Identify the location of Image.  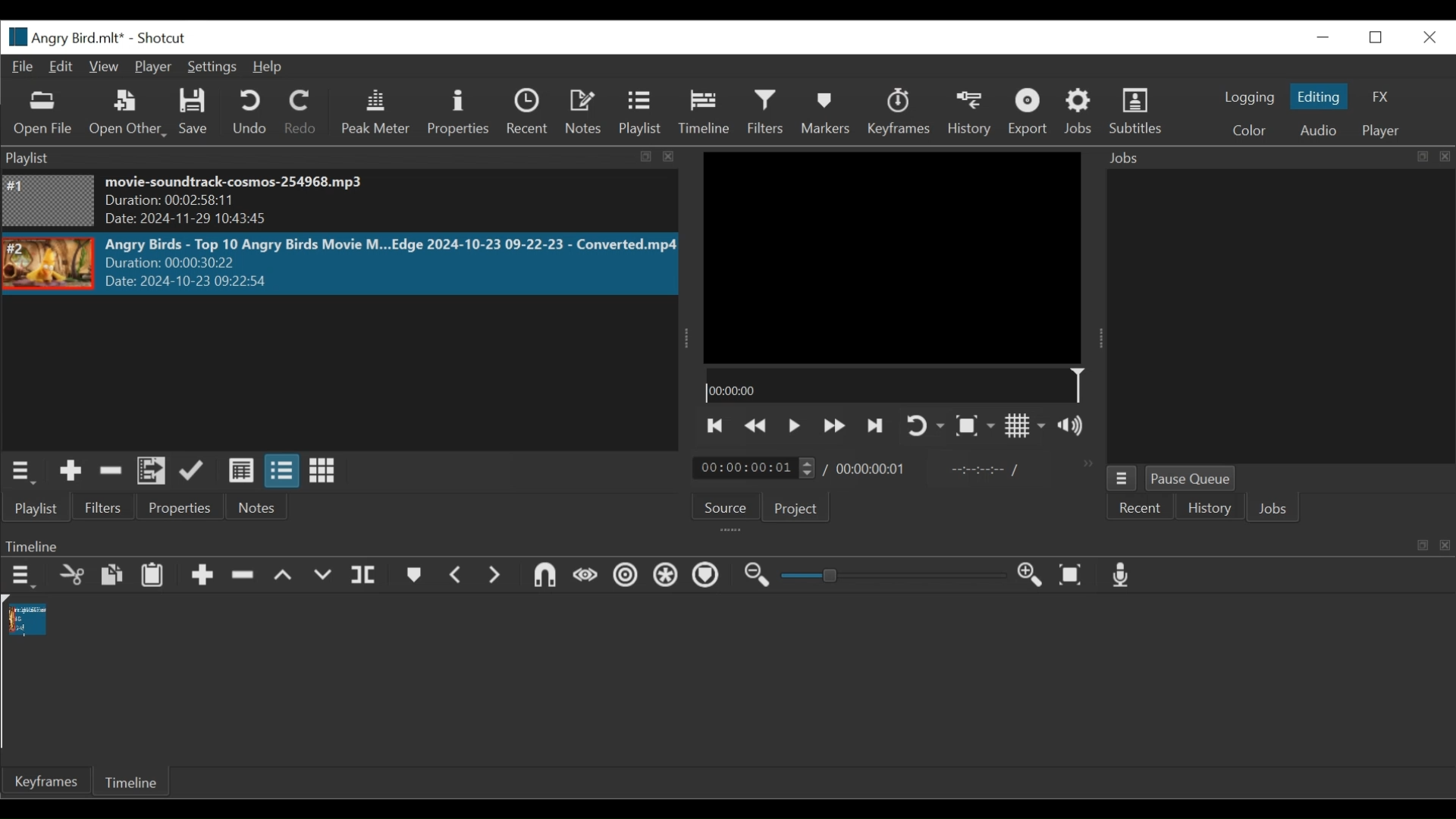
(49, 200).